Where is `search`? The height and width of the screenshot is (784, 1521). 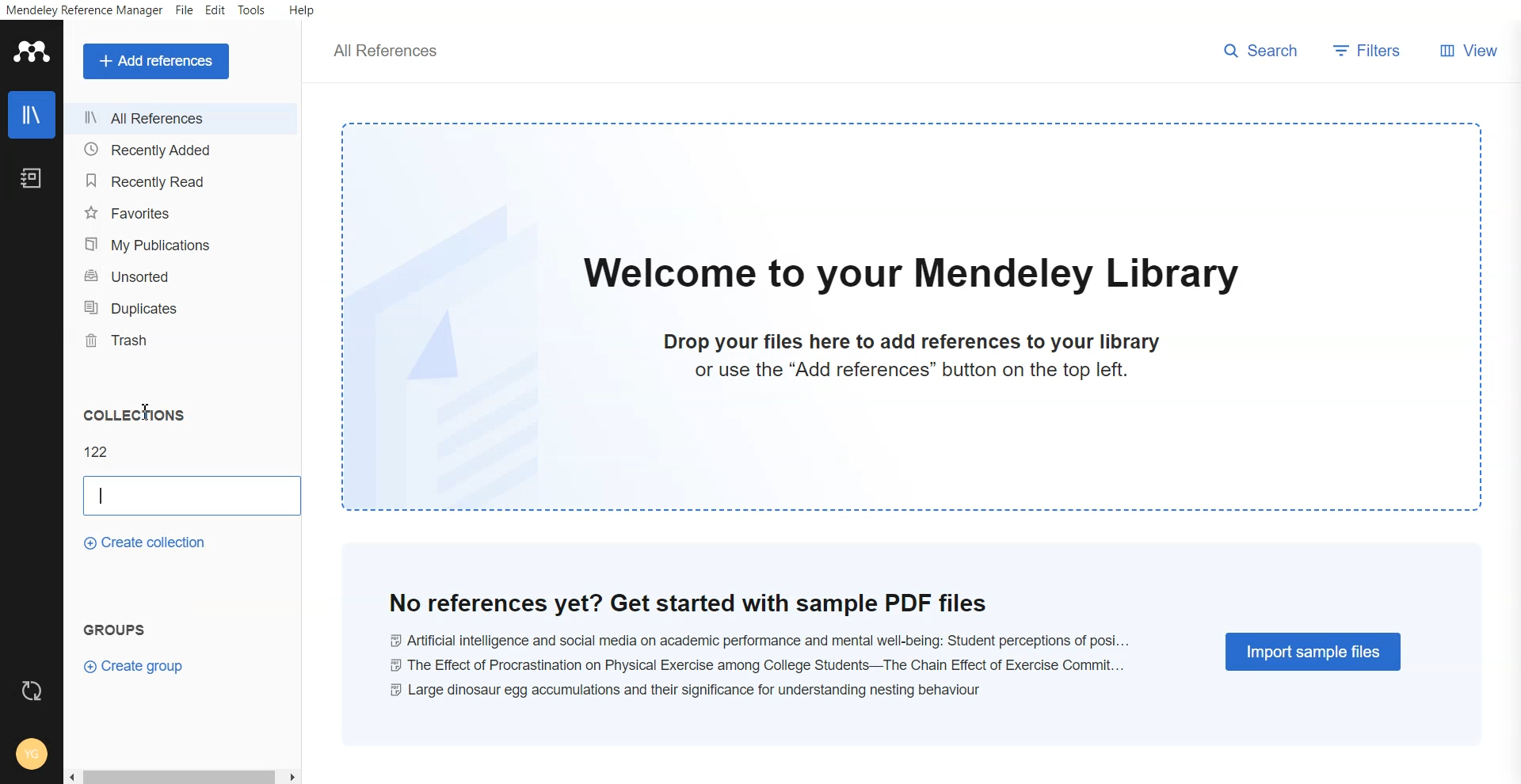 search is located at coordinates (1259, 48).